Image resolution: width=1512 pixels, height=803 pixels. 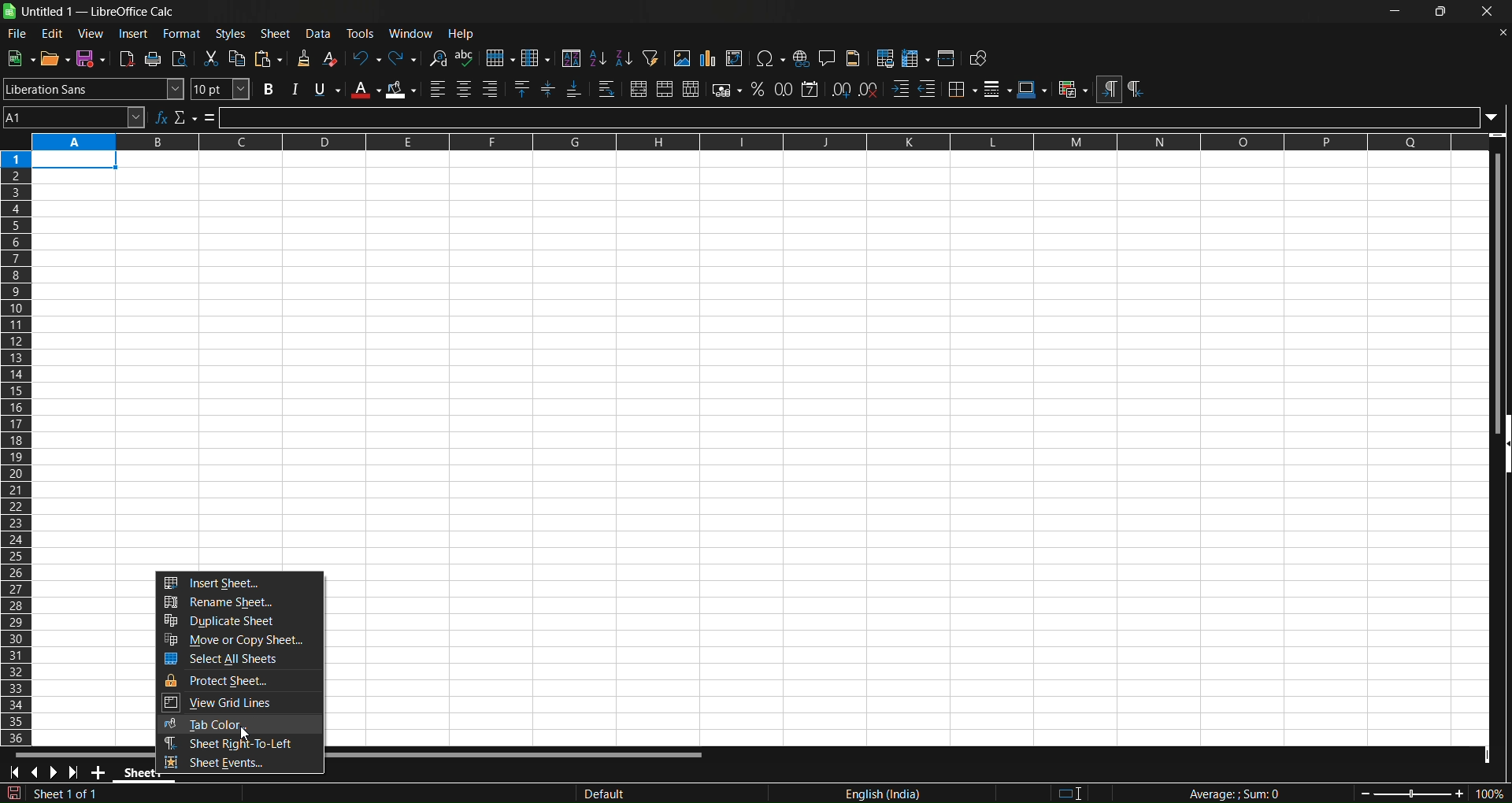 What do you see at coordinates (1108, 90) in the screenshot?
I see `left to right` at bounding box center [1108, 90].